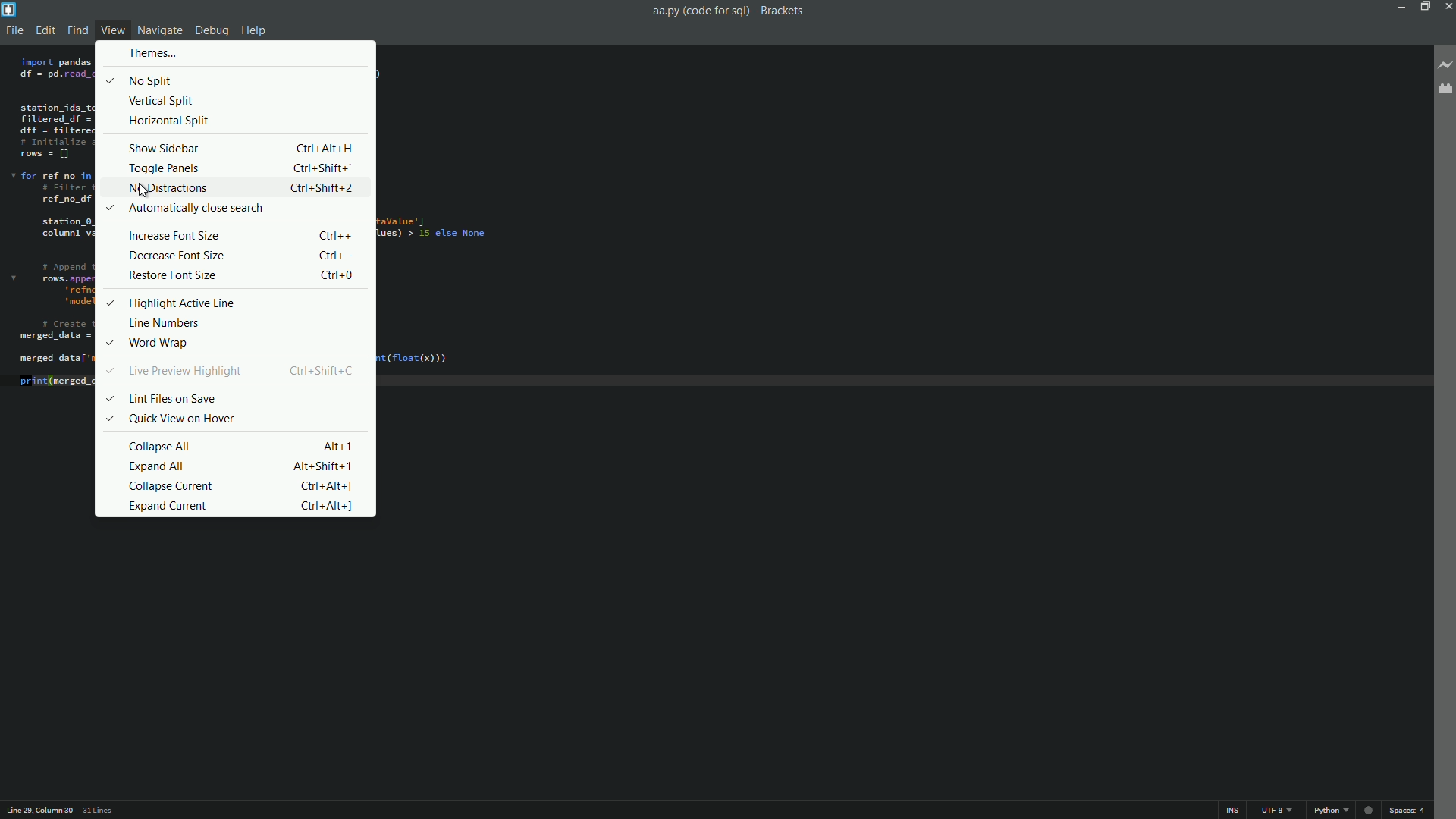 The image size is (1456, 819). Describe the element at coordinates (196, 209) in the screenshot. I see `automatically close search` at that location.